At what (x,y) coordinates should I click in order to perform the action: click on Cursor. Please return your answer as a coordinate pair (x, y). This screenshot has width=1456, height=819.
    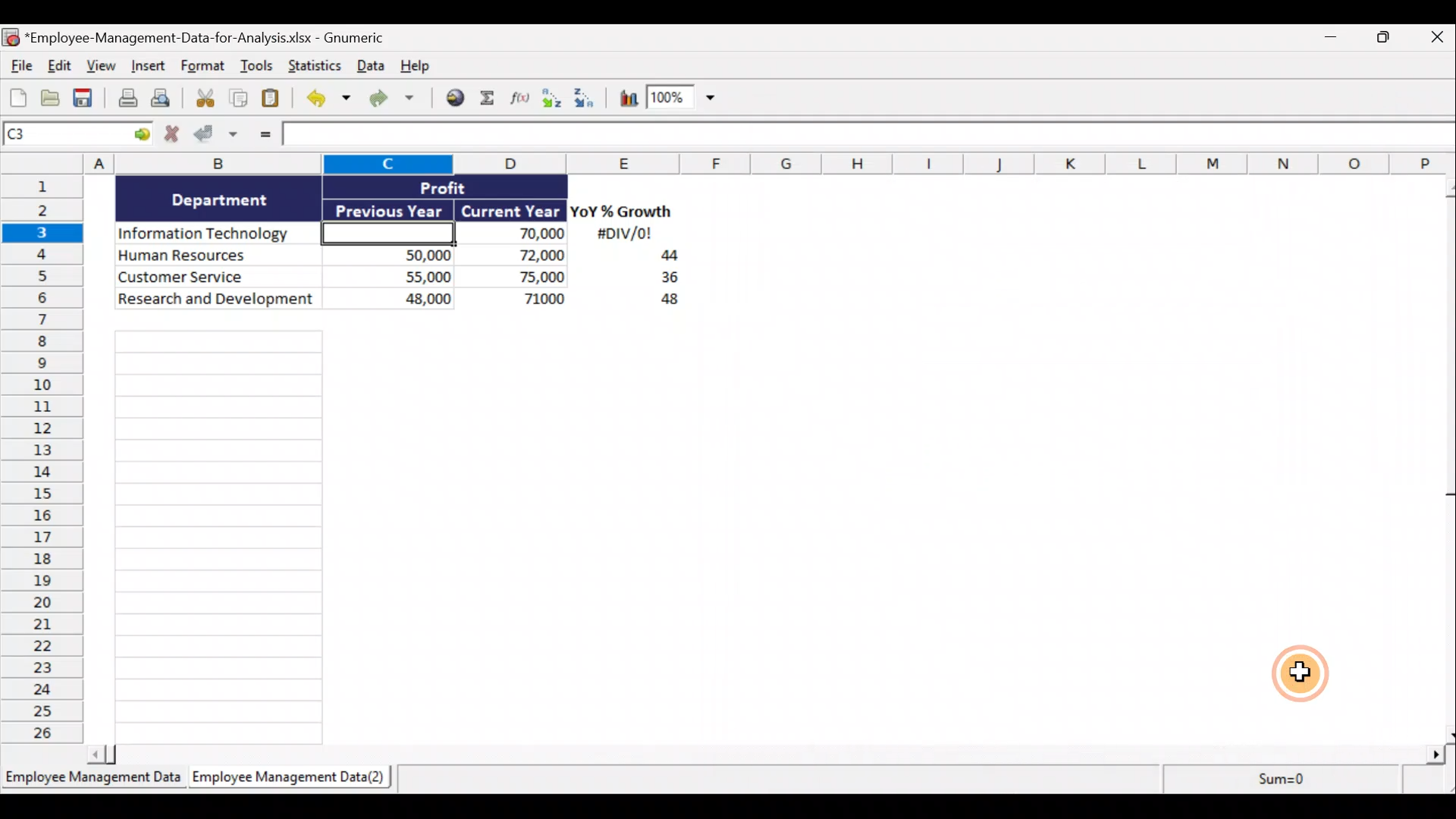
    Looking at the image, I should click on (1304, 675).